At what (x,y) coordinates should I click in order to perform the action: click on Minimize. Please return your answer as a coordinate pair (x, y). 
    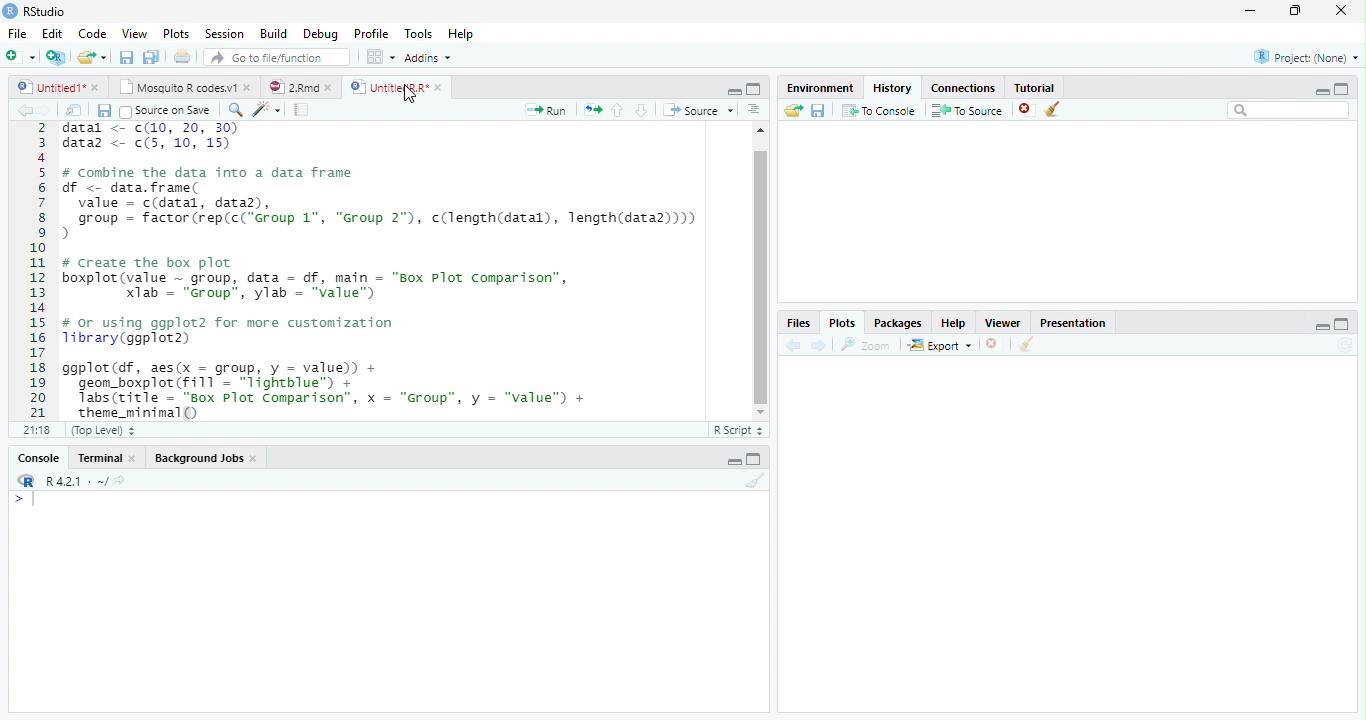
    Looking at the image, I should click on (733, 462).